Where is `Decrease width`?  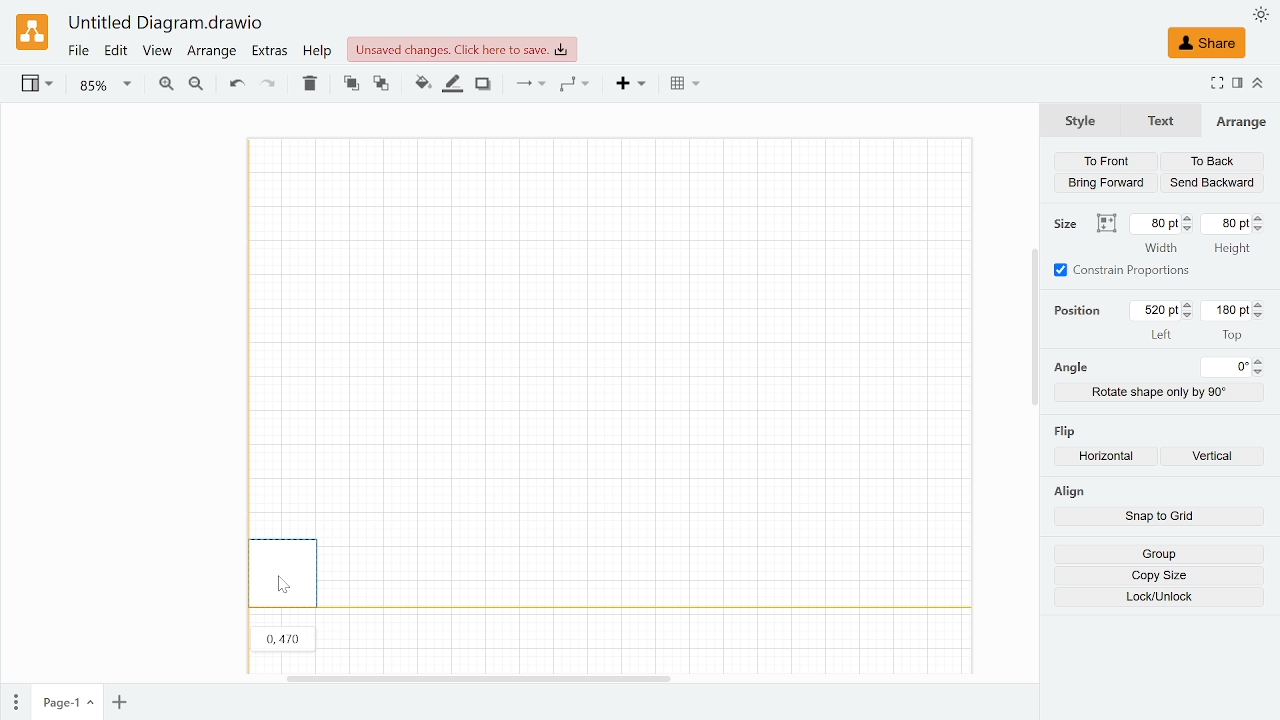
Decrease width is located at coordinates (1189, 229).